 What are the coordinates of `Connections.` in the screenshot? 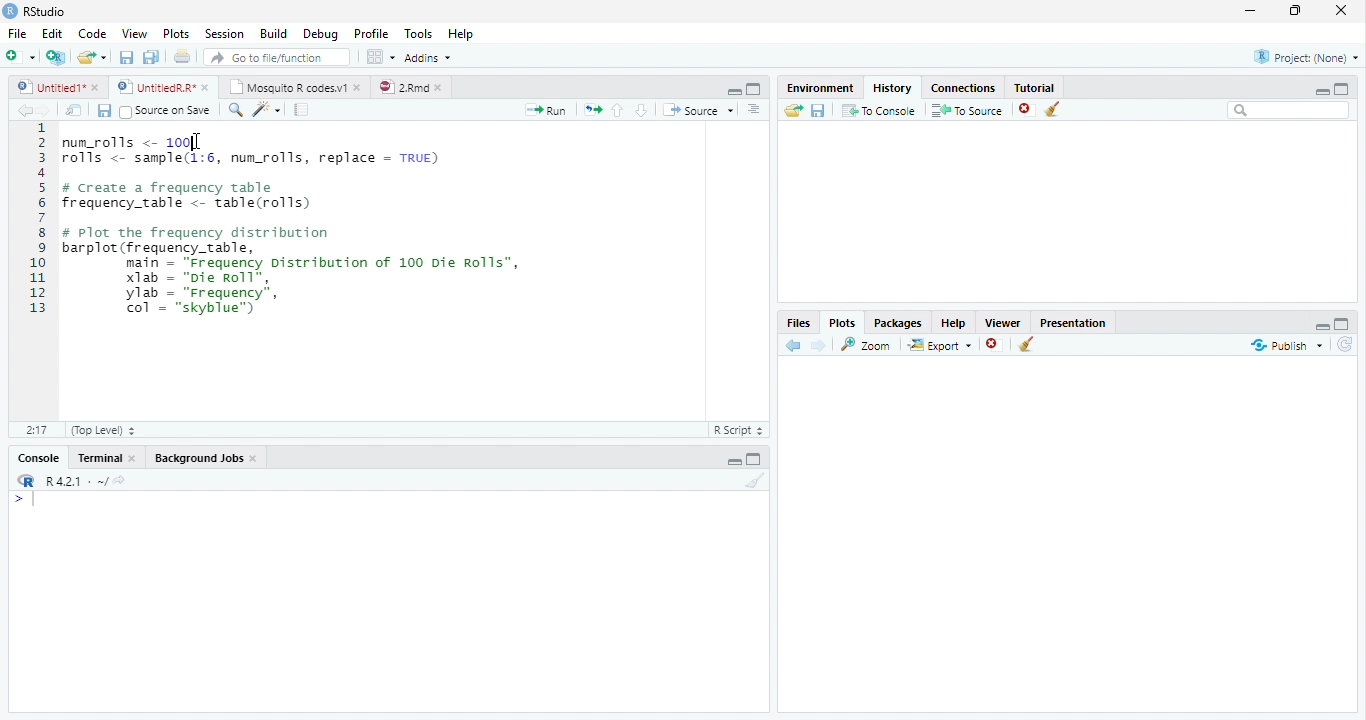 It's located at (963, 87).